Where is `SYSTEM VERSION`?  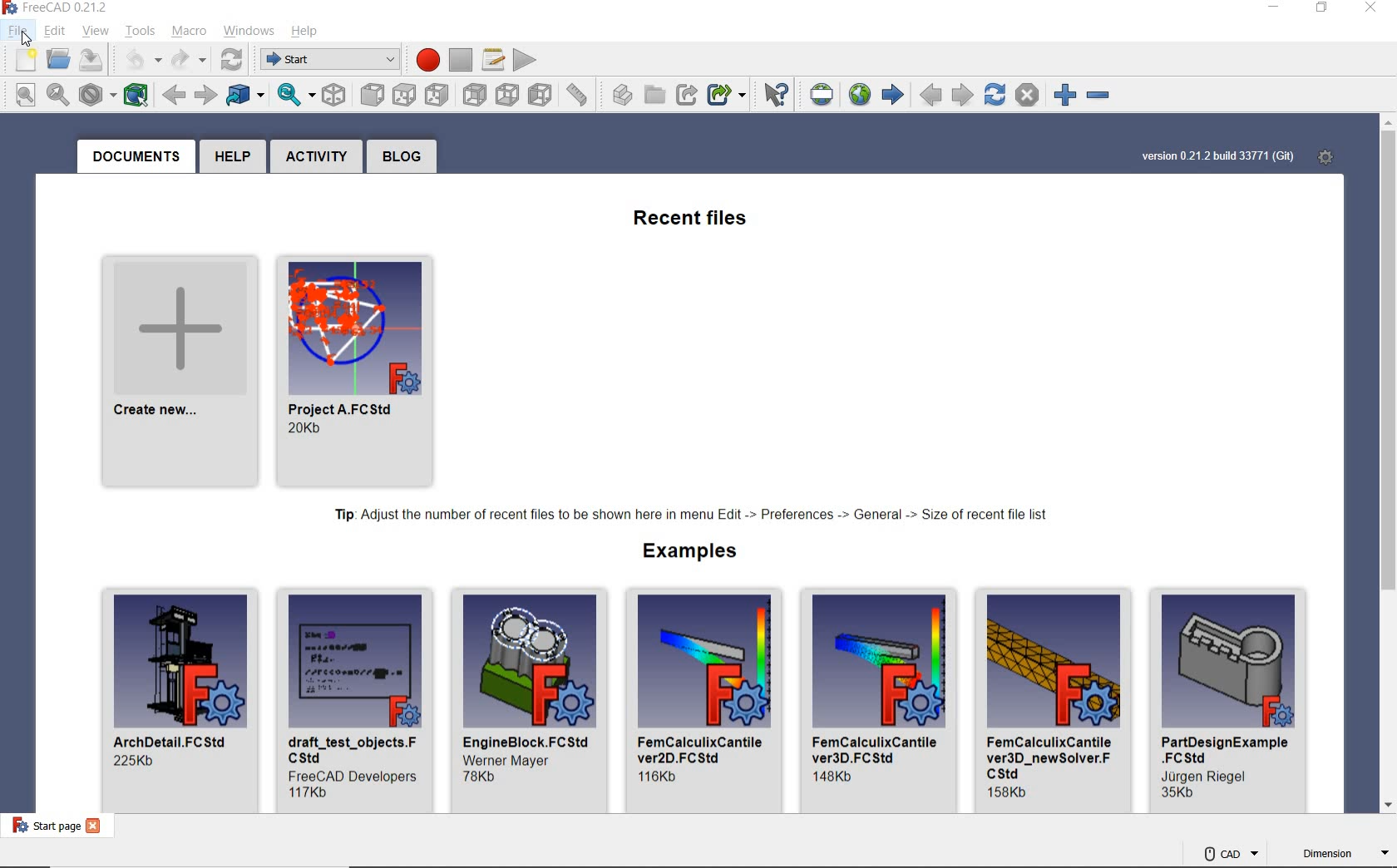 SYSTEM VERSION is located at coordinates (1217, 157).